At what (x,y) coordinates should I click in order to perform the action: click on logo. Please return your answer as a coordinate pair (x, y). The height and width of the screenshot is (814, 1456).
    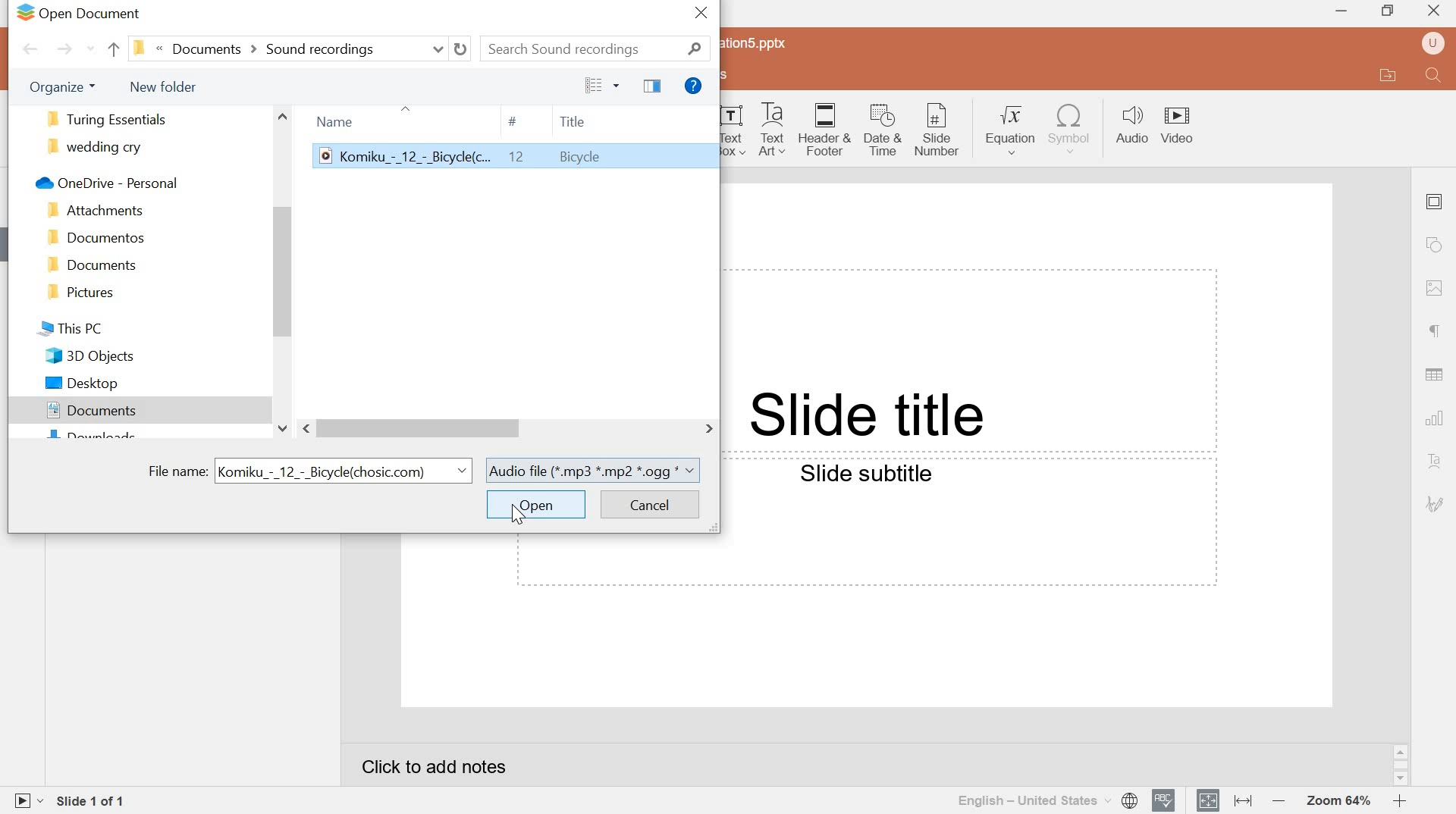
    Looking at the image, I should click on (24, 13).